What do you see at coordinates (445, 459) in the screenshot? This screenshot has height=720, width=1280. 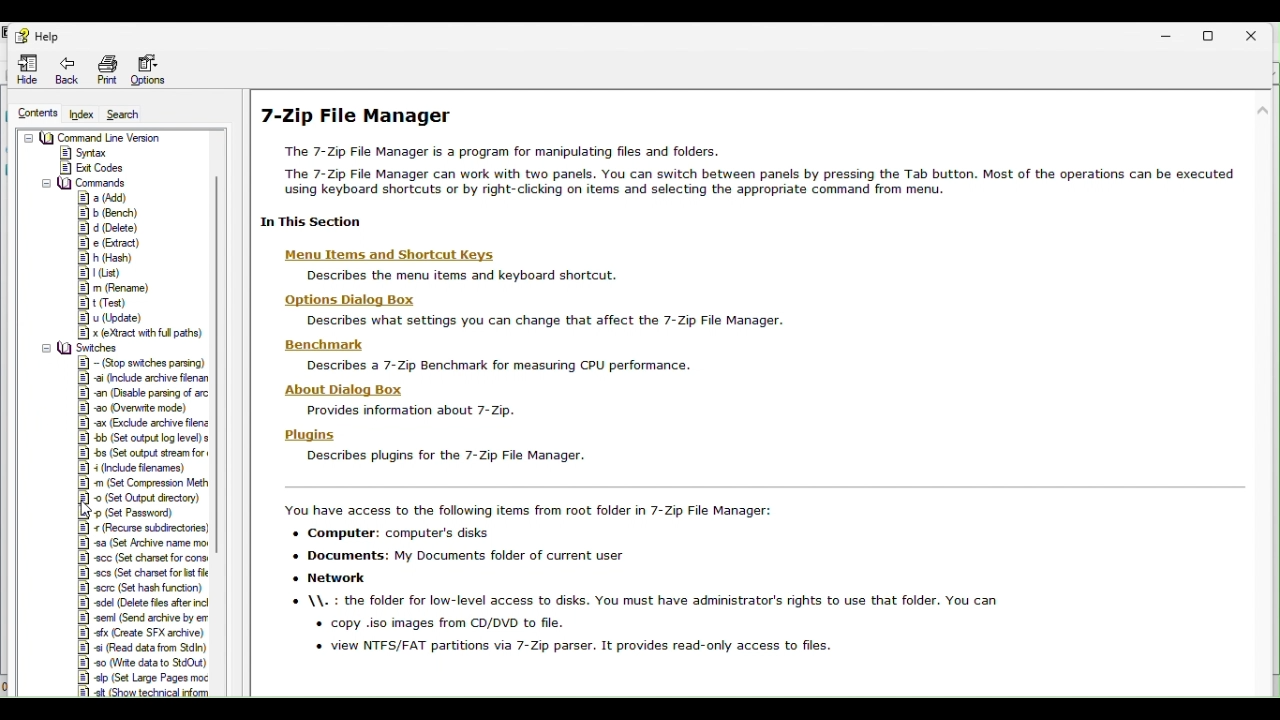 I see `describe plugins` at bounding box center [445, 459].